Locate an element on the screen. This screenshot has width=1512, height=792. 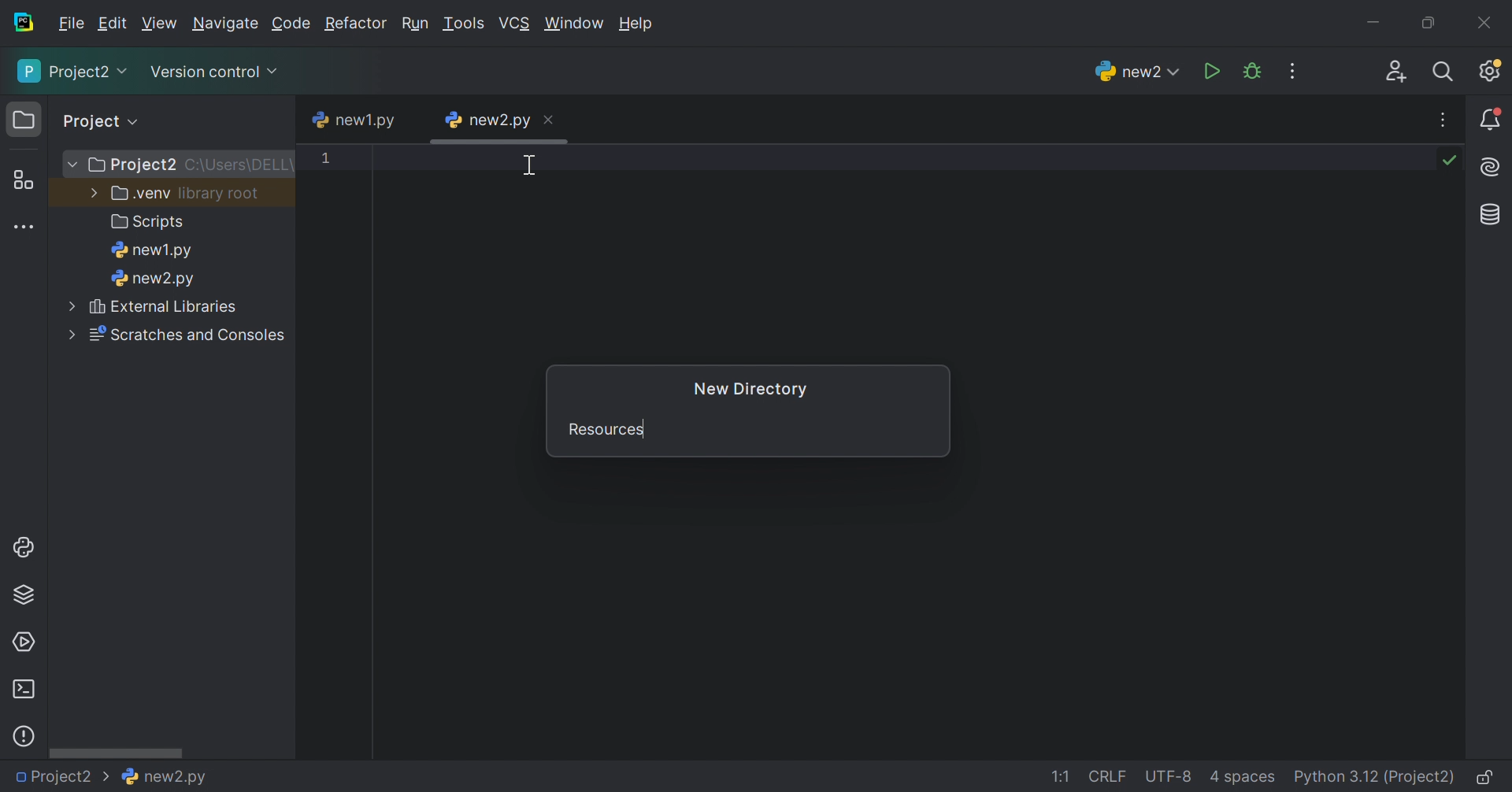
Project2 is located at coordinates (74, 72).